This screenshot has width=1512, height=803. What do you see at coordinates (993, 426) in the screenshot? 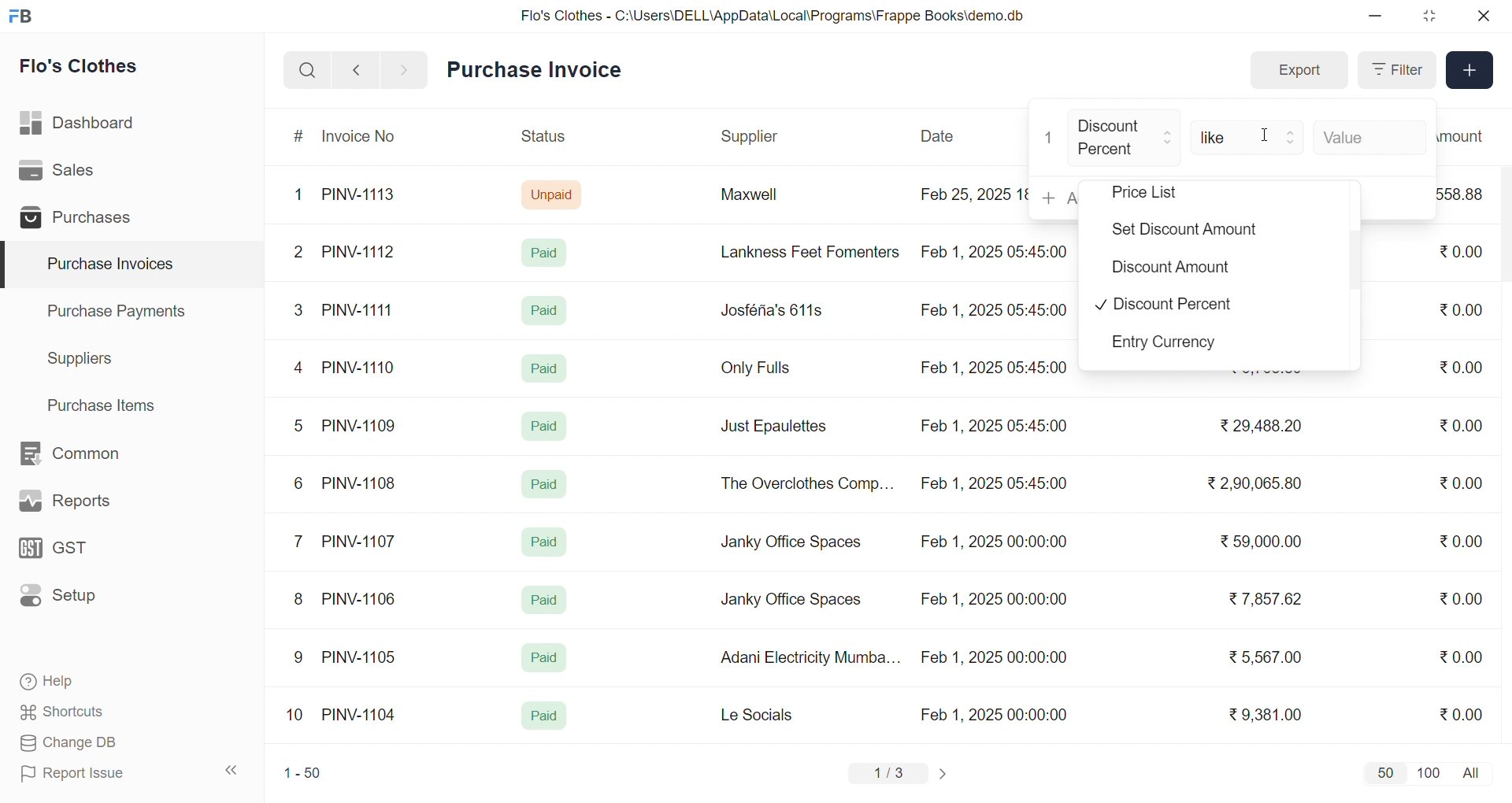
I see `Feb 1, 2025 05:45:00` at bounding box center [993, 426].